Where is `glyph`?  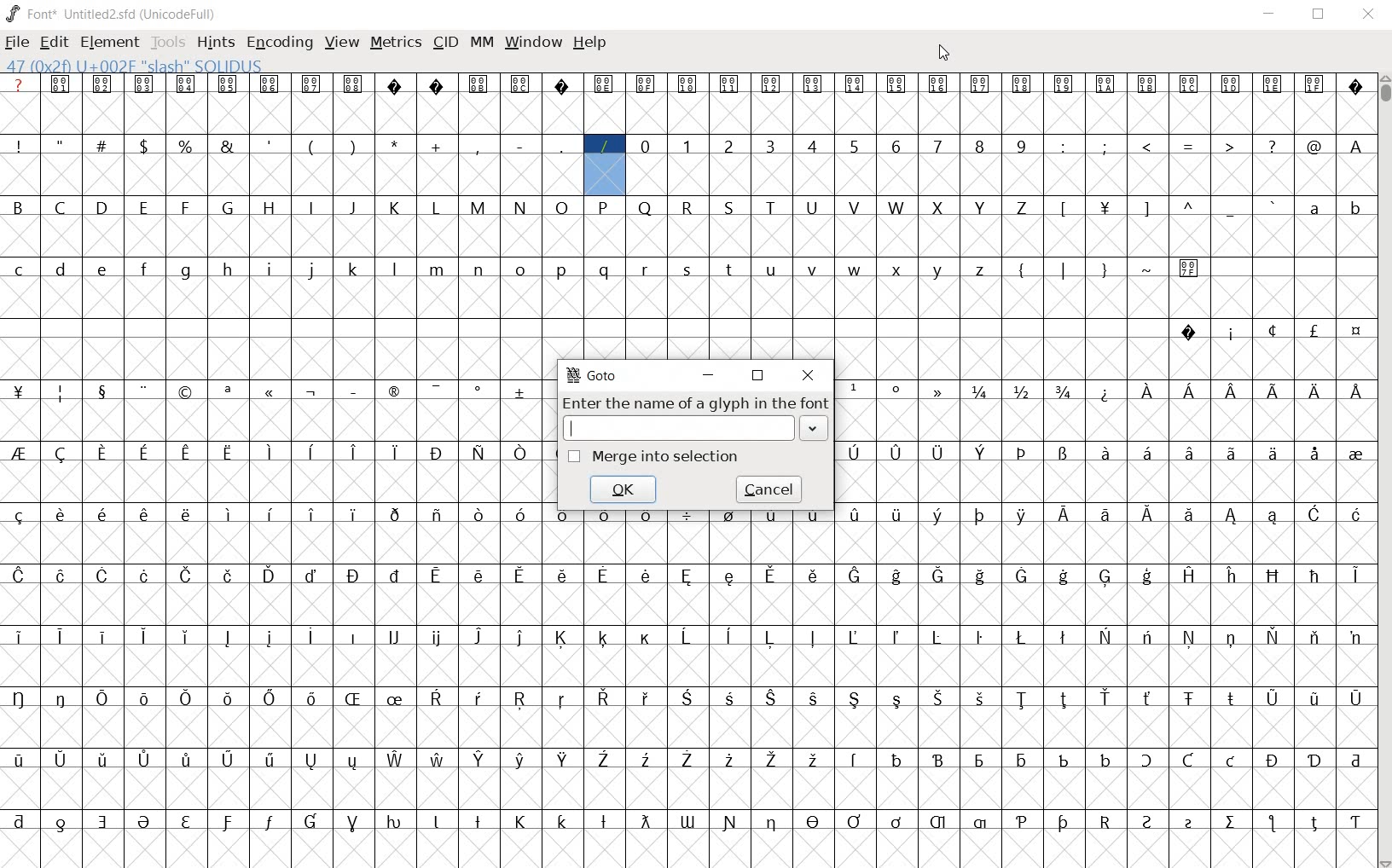
glyph is located at coordinates (981, 208).